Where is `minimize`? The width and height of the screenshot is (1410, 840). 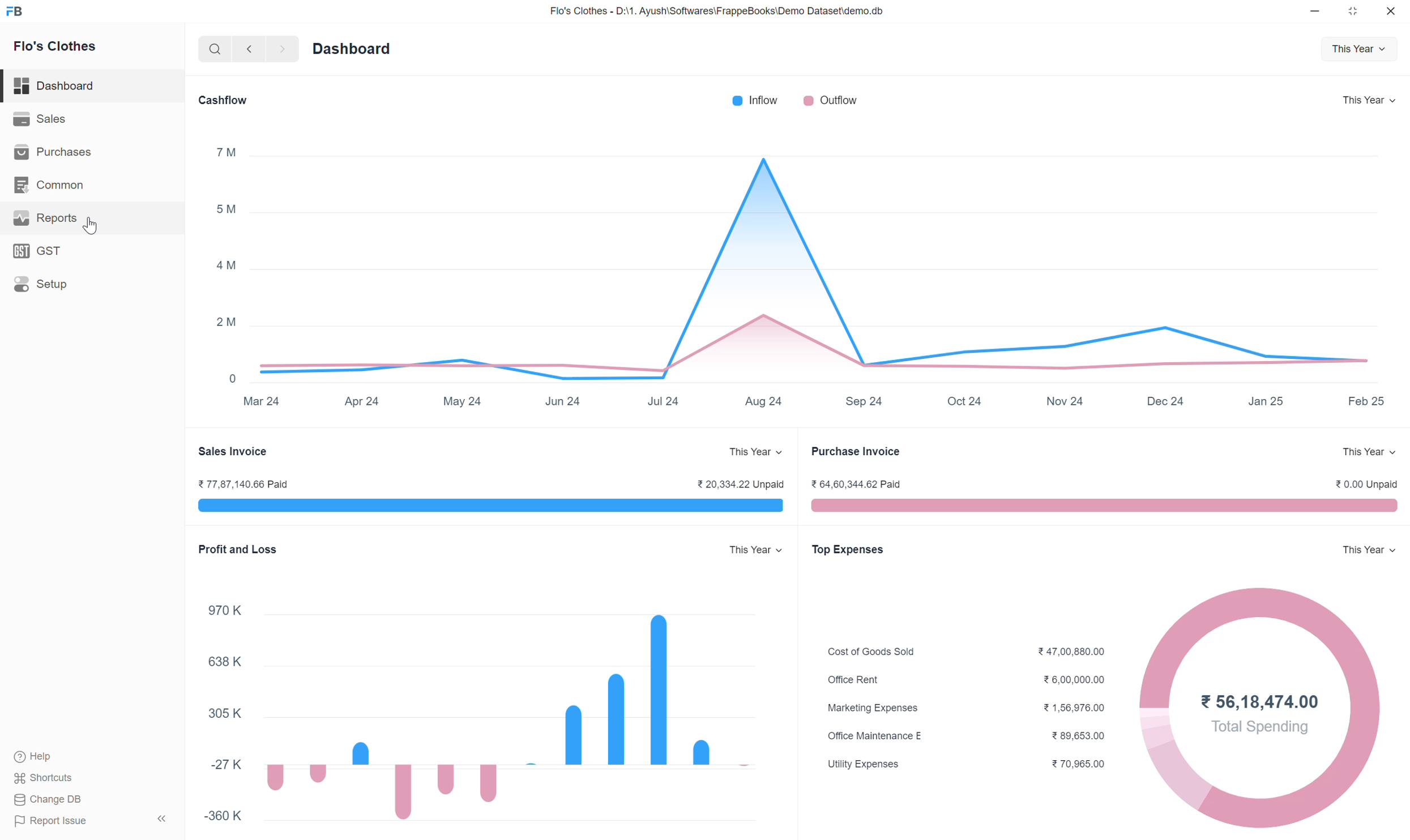
minimize is located at coordinates (1316, 9).